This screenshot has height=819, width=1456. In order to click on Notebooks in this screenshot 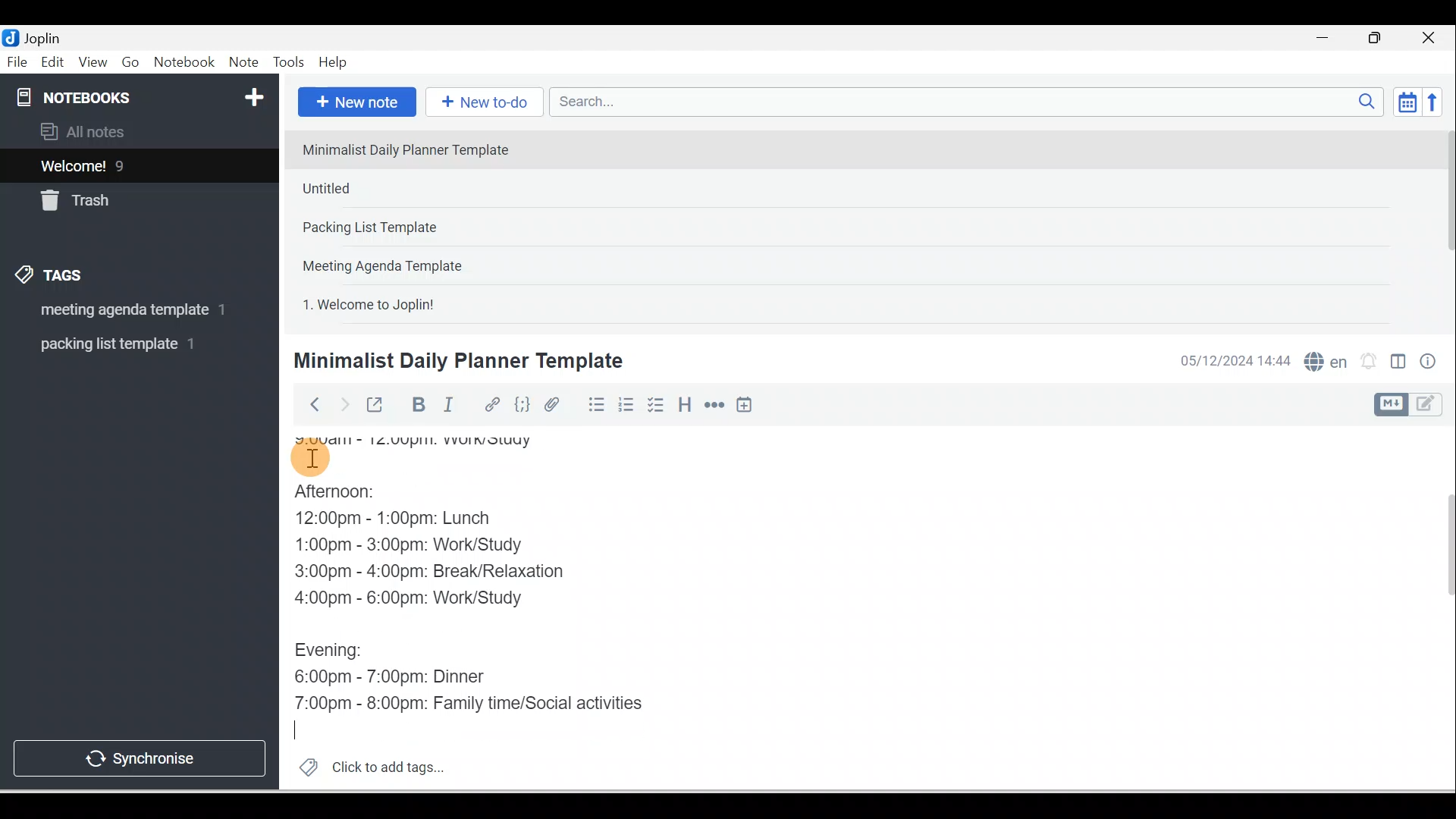, I will do `click(143, 94)`.